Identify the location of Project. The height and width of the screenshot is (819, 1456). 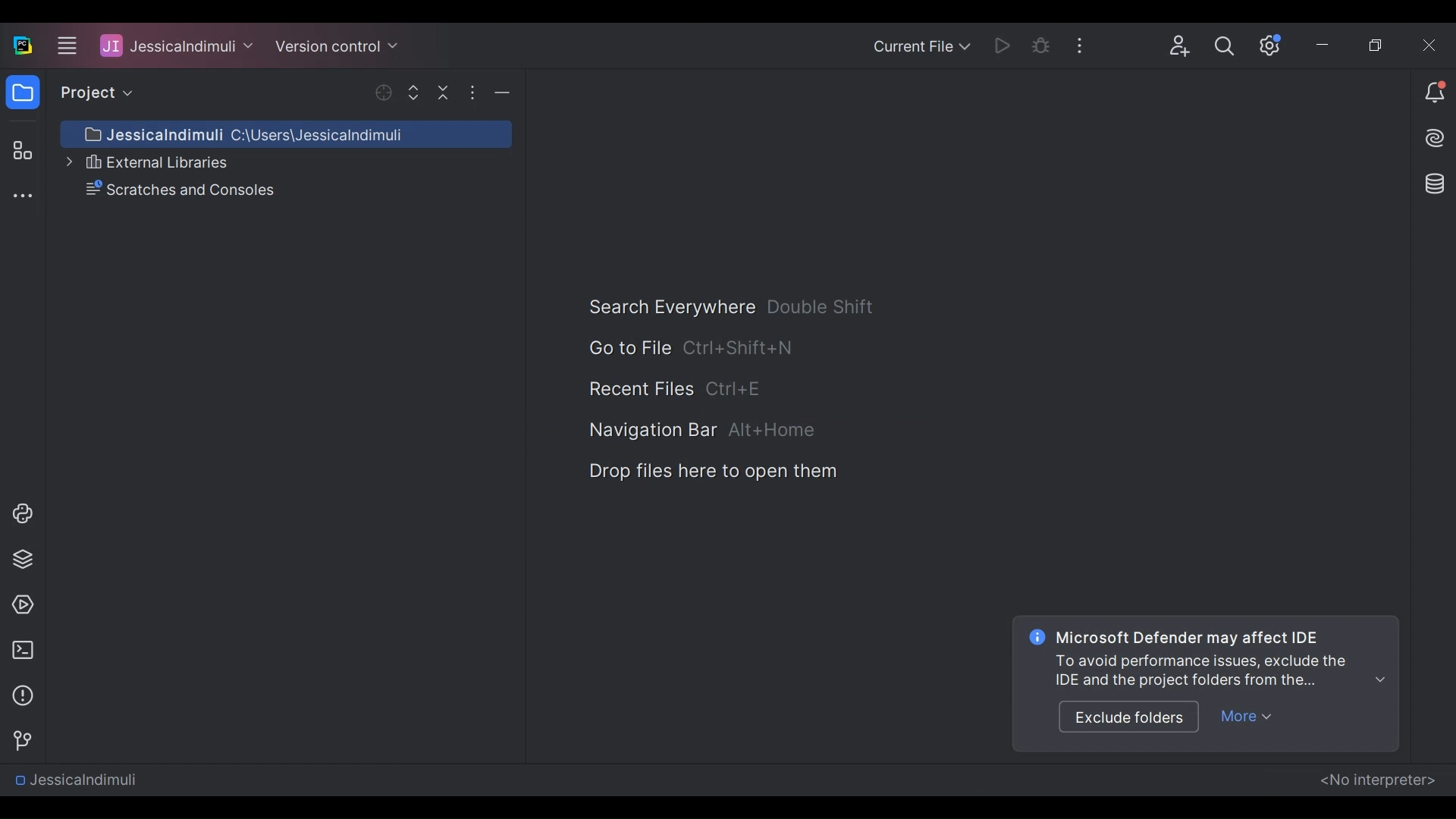
(122, 91).